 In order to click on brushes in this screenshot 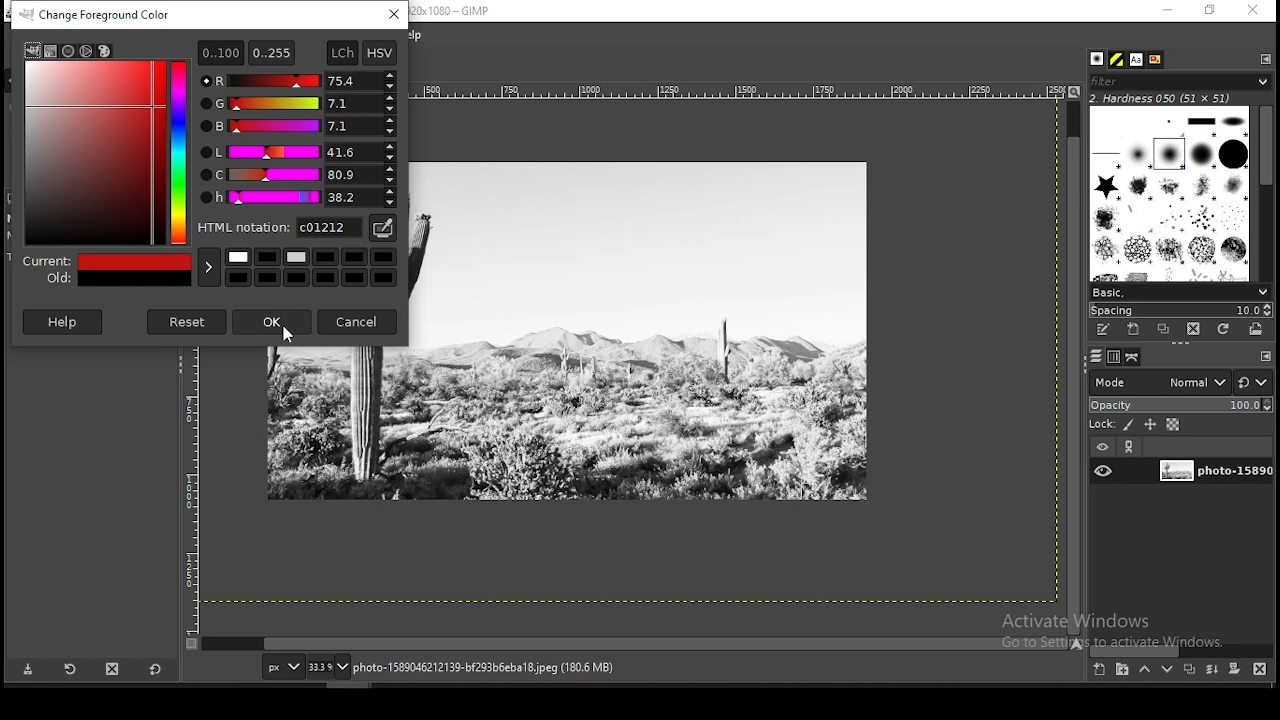, I will do `click(1099, 59)`.